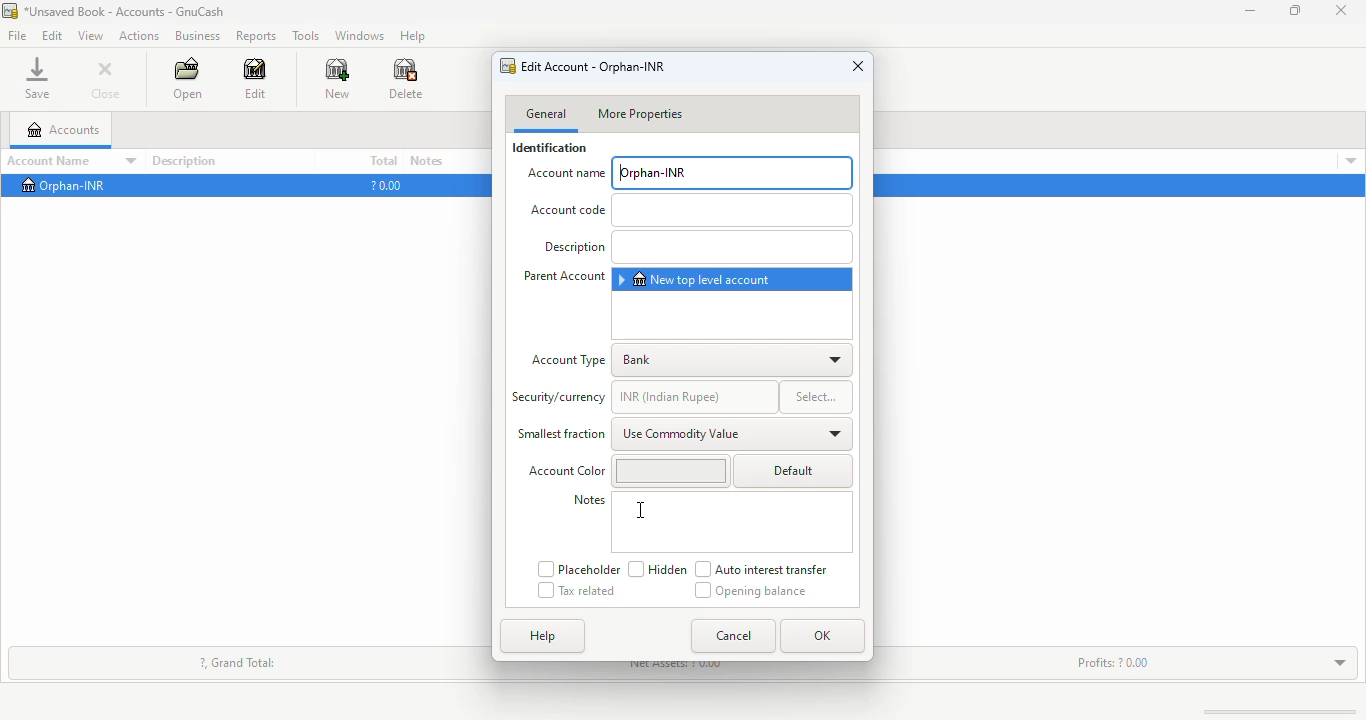 The height and width of the screenshot is (720, 1366). What do you see at coordinates (693, 395) in the screenshot?
I see `INR (Indian rupee_` at bounding box center [693, 395].